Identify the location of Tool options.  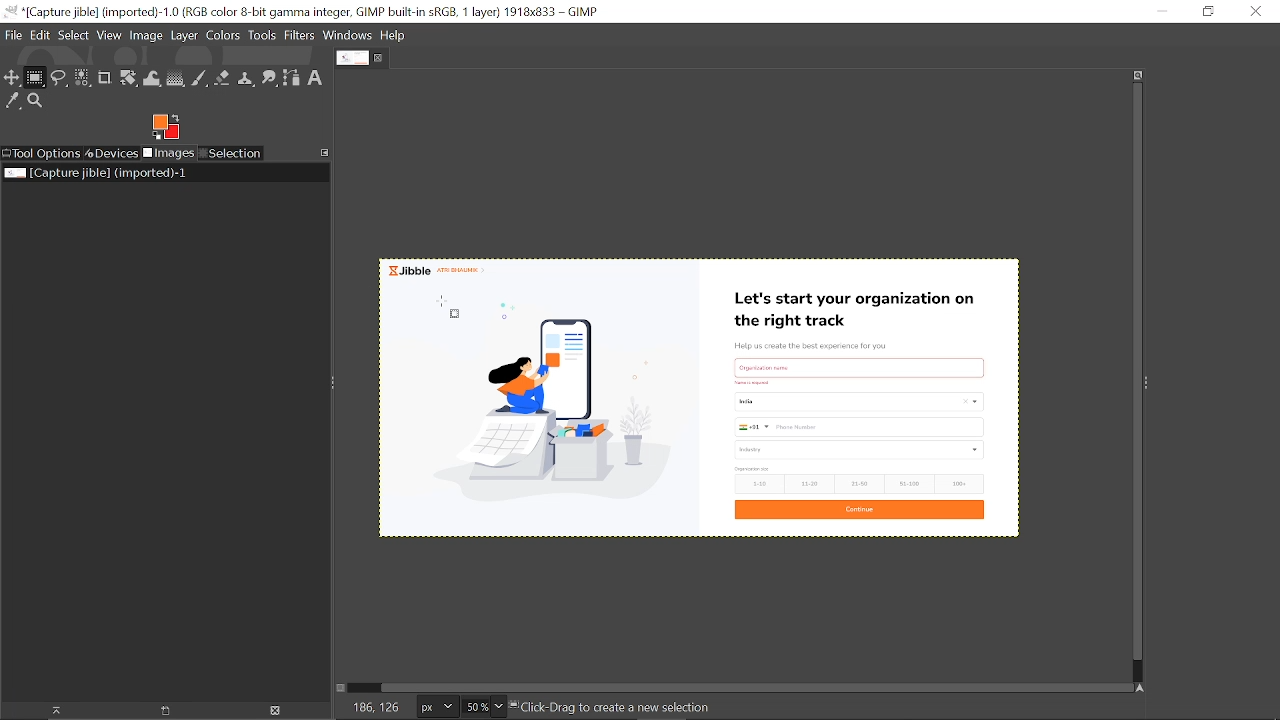
(42, 153).